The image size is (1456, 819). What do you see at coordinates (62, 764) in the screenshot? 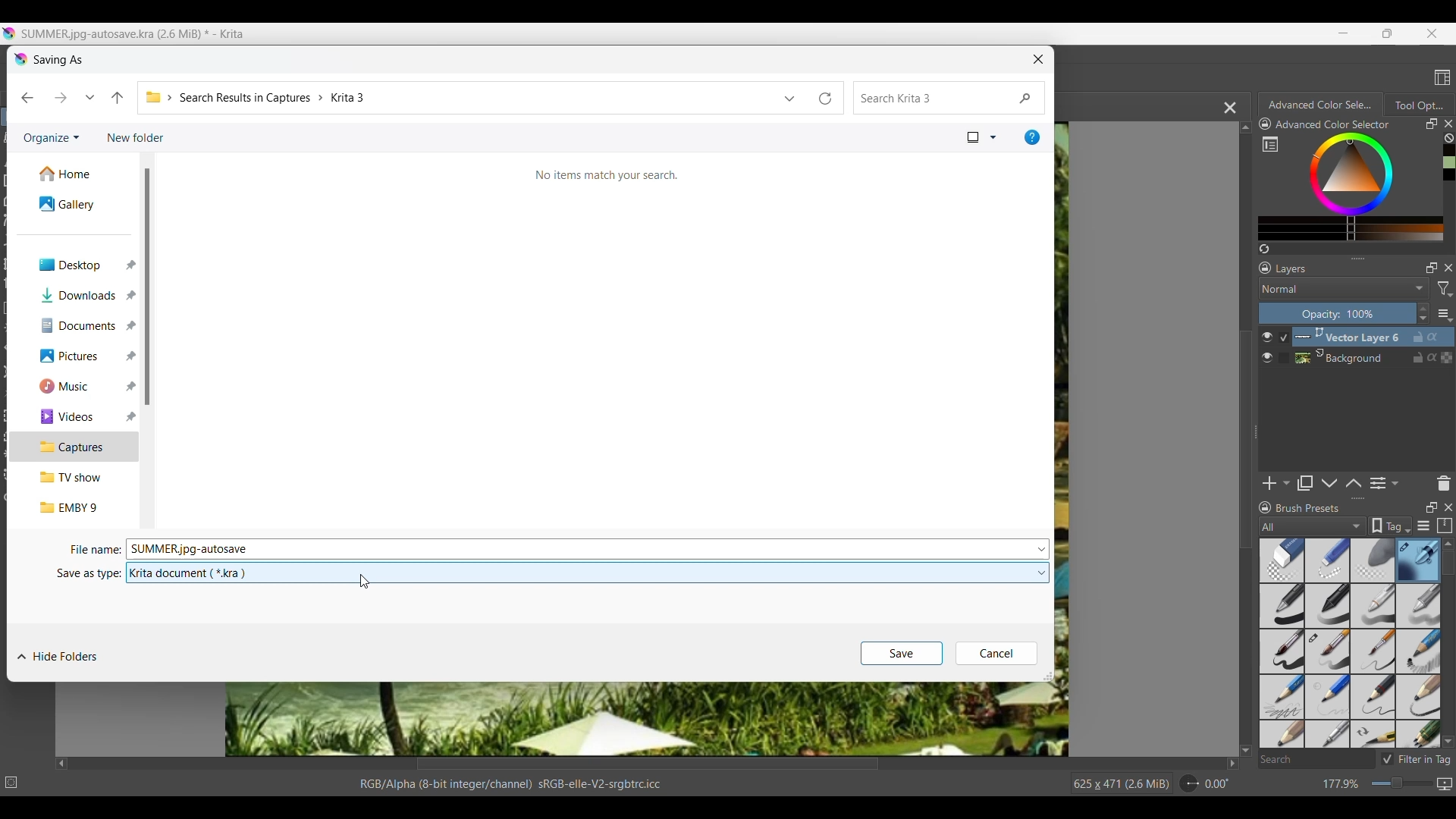
I see `Quick slide to left` at bounding box center [62, 764].